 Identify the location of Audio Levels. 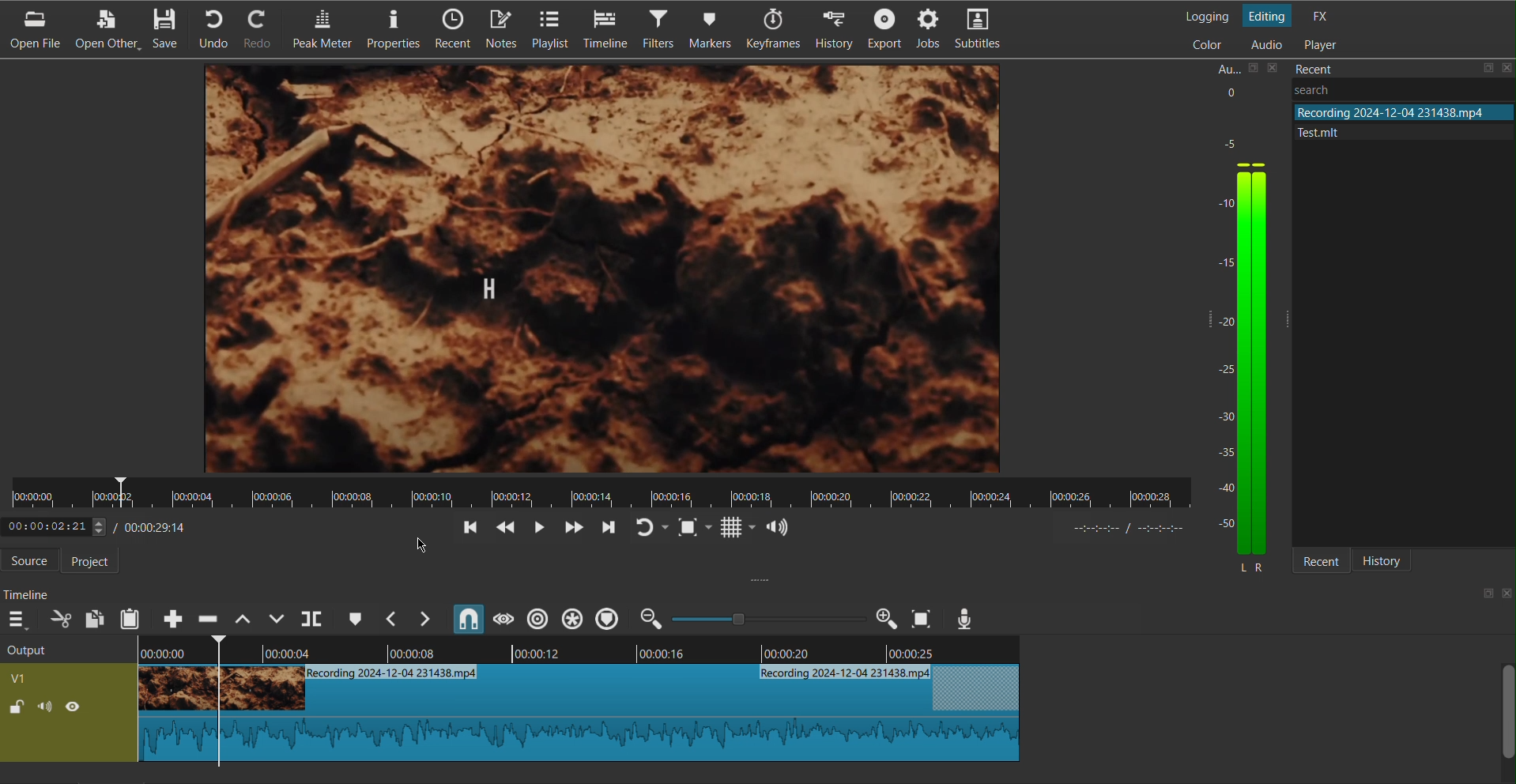
(1246, 329).